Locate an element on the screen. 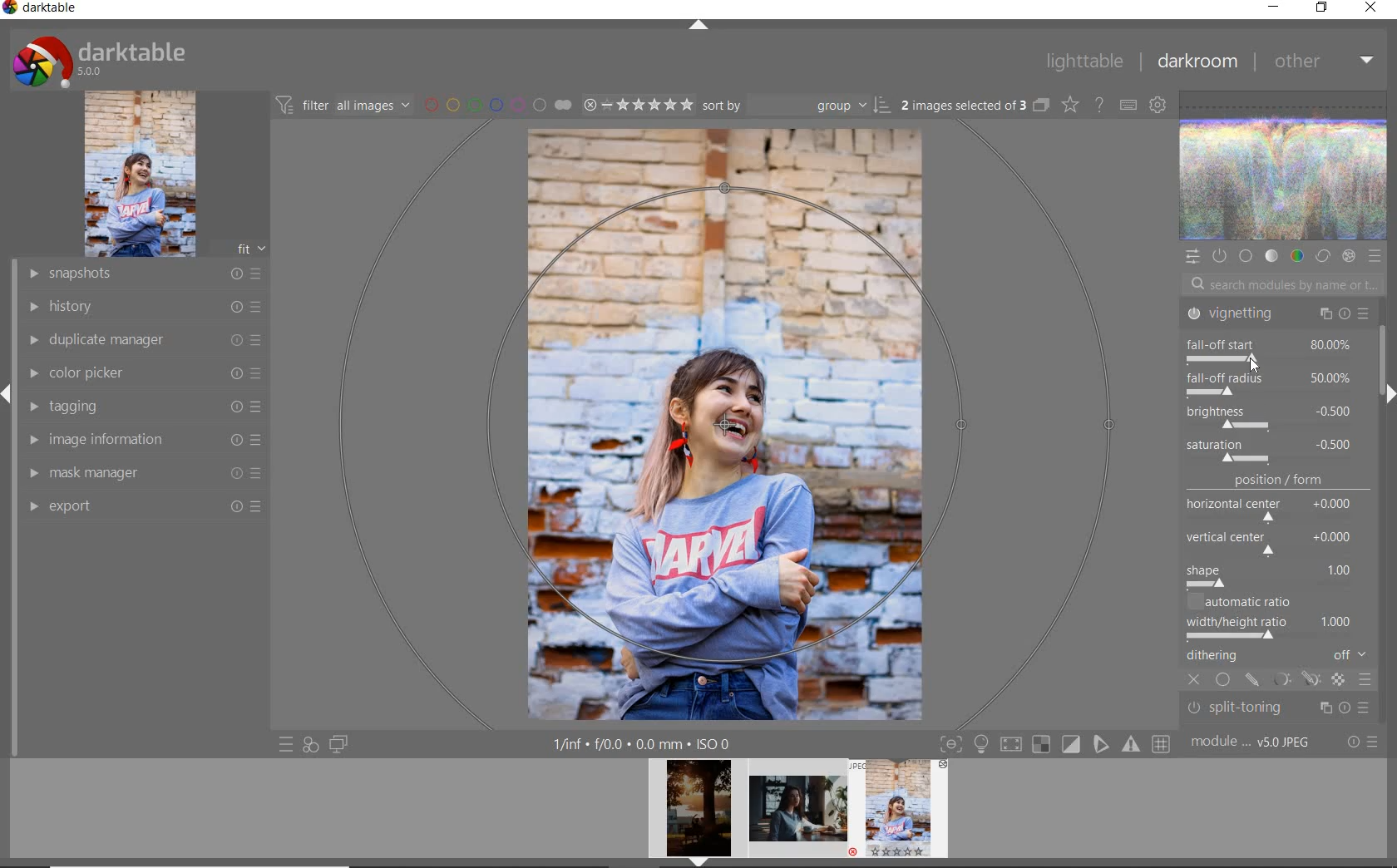 Image resolution: width=1397 pixels, height=868 pixels. base  is located at coordinates (1247, 257).